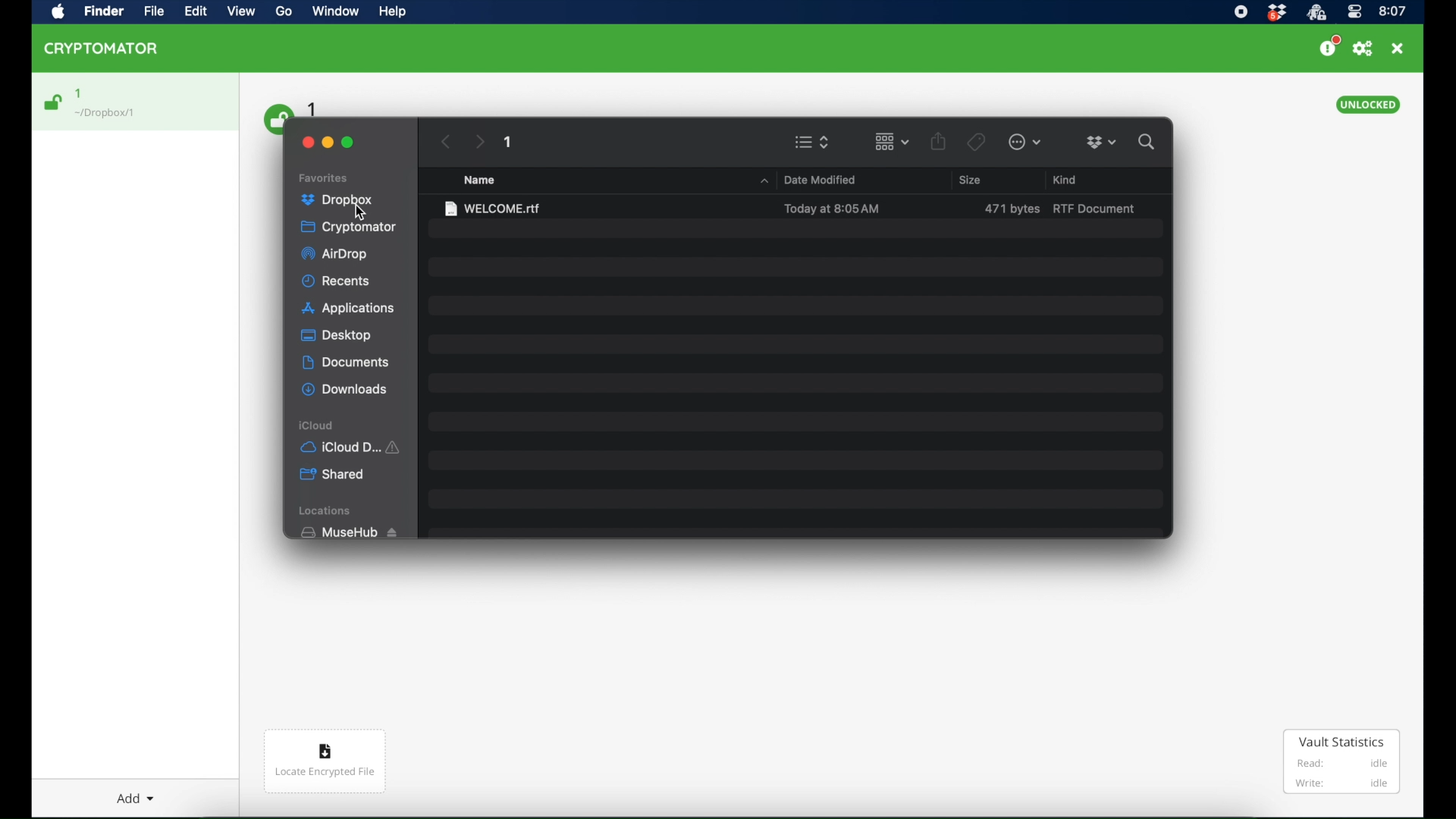  What do you see at coordinates (971, 179) in the screenshot?
I see `size` at bounding box center [971, 179].